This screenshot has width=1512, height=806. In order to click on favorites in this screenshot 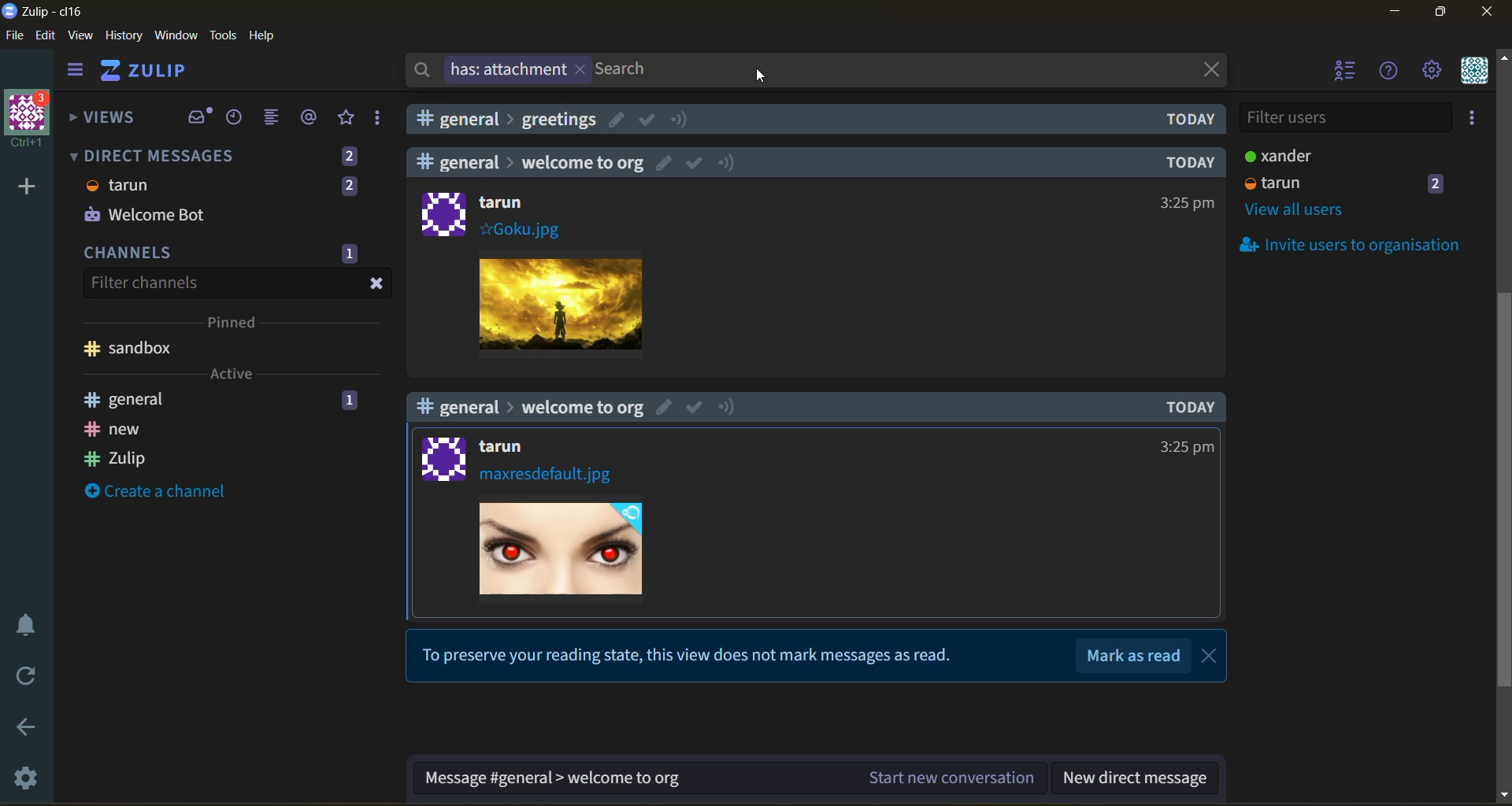, I will do `click(348, 118)`.